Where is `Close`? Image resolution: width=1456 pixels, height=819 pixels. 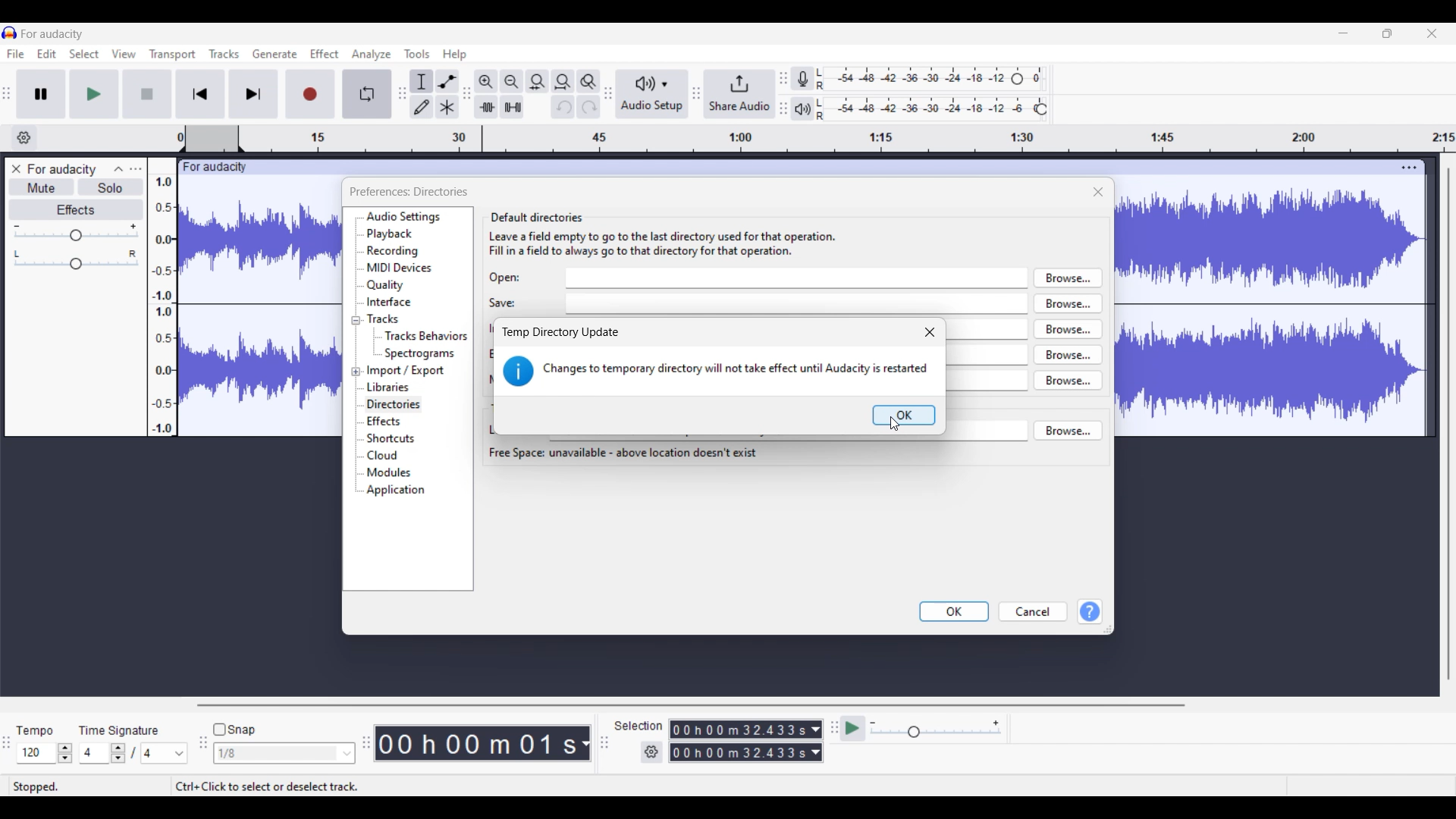
Close is located at coordinates (1099, 192).